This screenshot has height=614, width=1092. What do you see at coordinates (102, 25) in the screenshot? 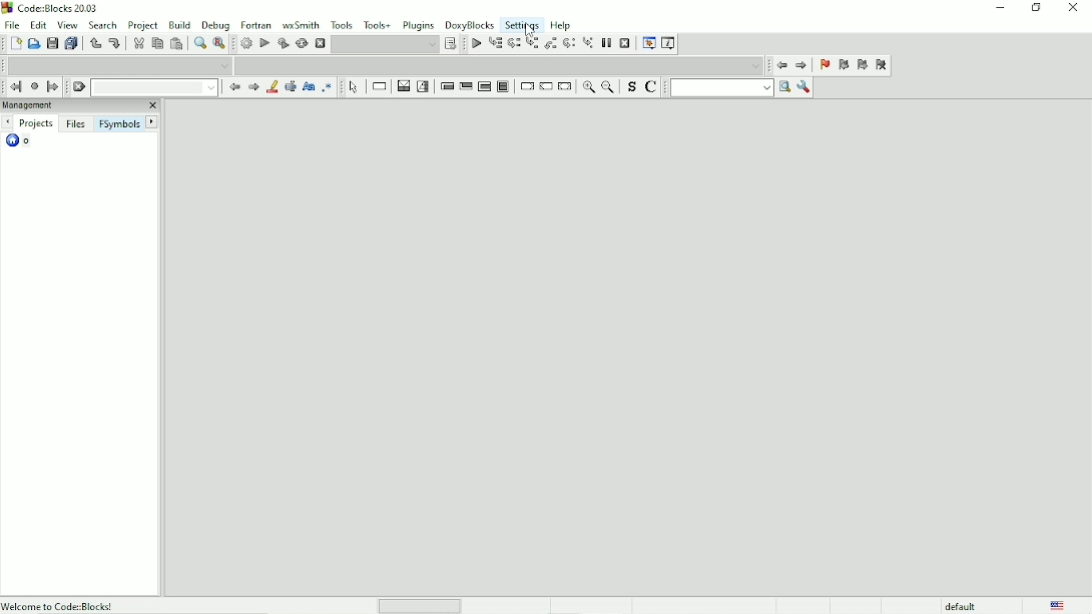
I see `Search` at bounding box center [102, 25].